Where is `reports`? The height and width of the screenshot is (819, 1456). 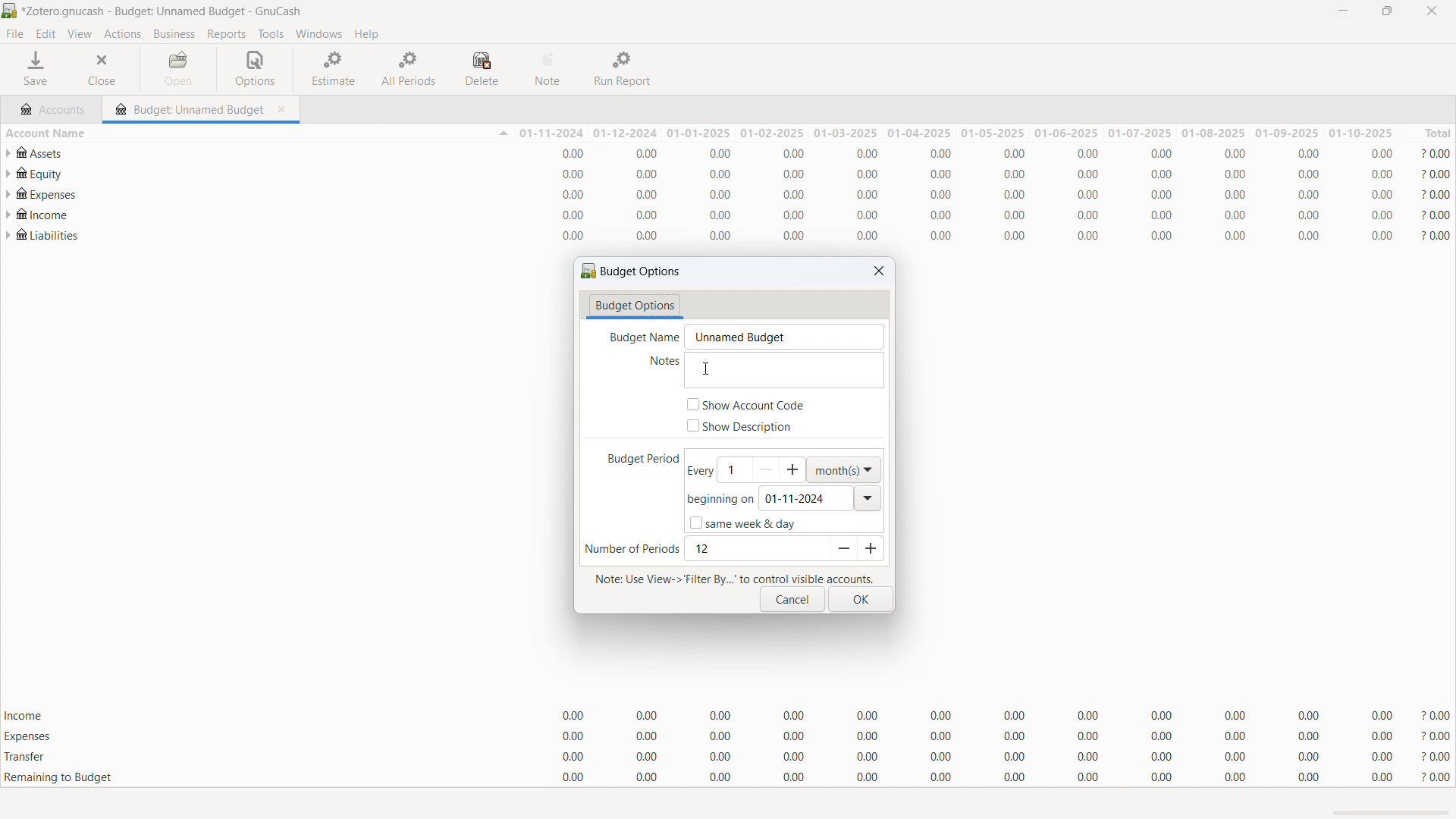
reports is located at coordinates (227, 34).